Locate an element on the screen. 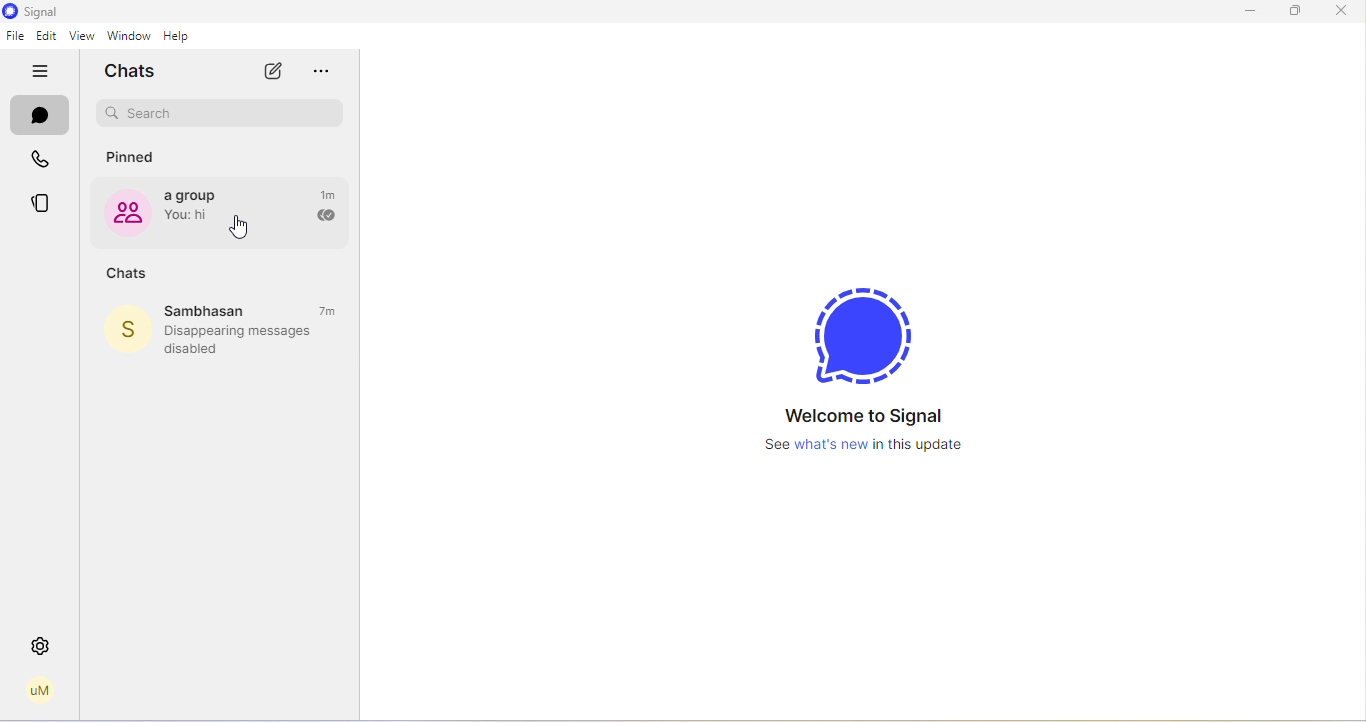  window is located at coordinates (128, 36).